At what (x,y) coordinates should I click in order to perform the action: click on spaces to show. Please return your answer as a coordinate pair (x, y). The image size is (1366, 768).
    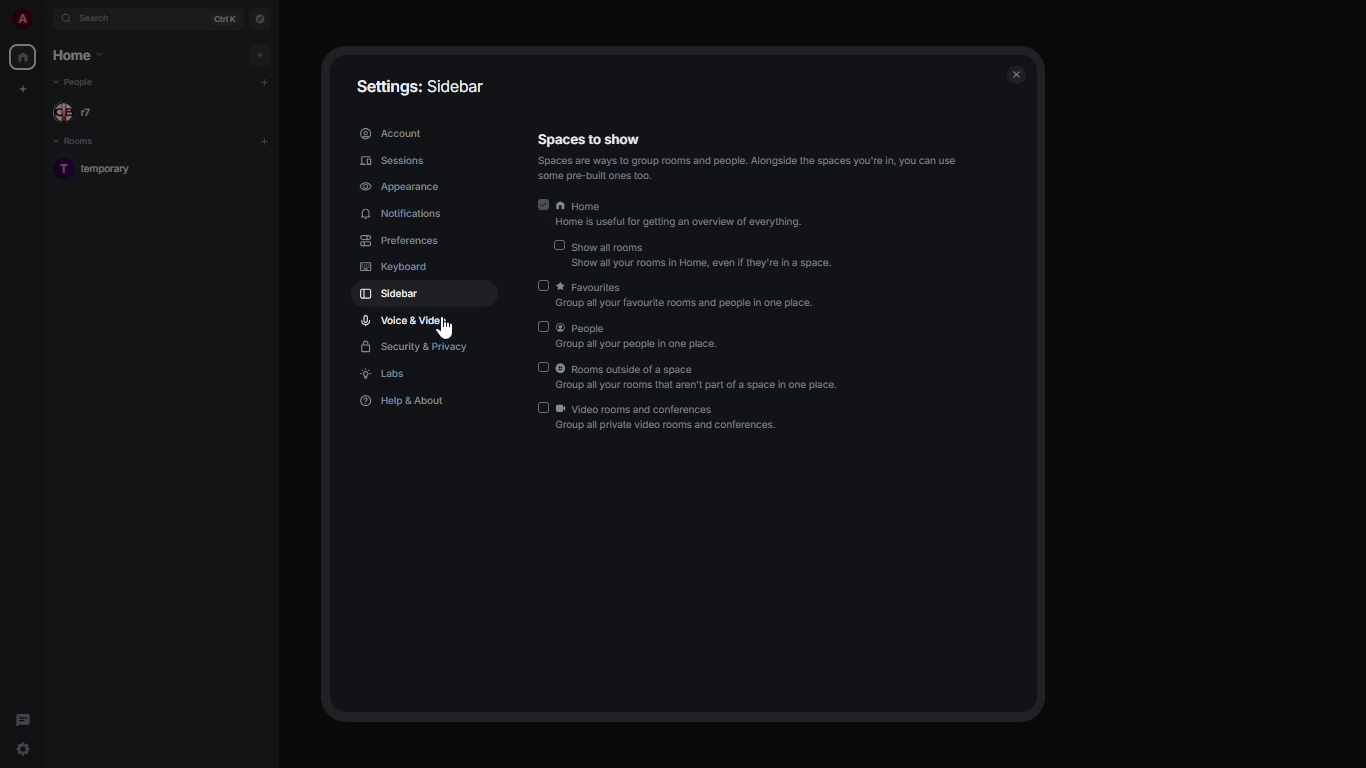
    Looking at the image, I should click on (746, 156).